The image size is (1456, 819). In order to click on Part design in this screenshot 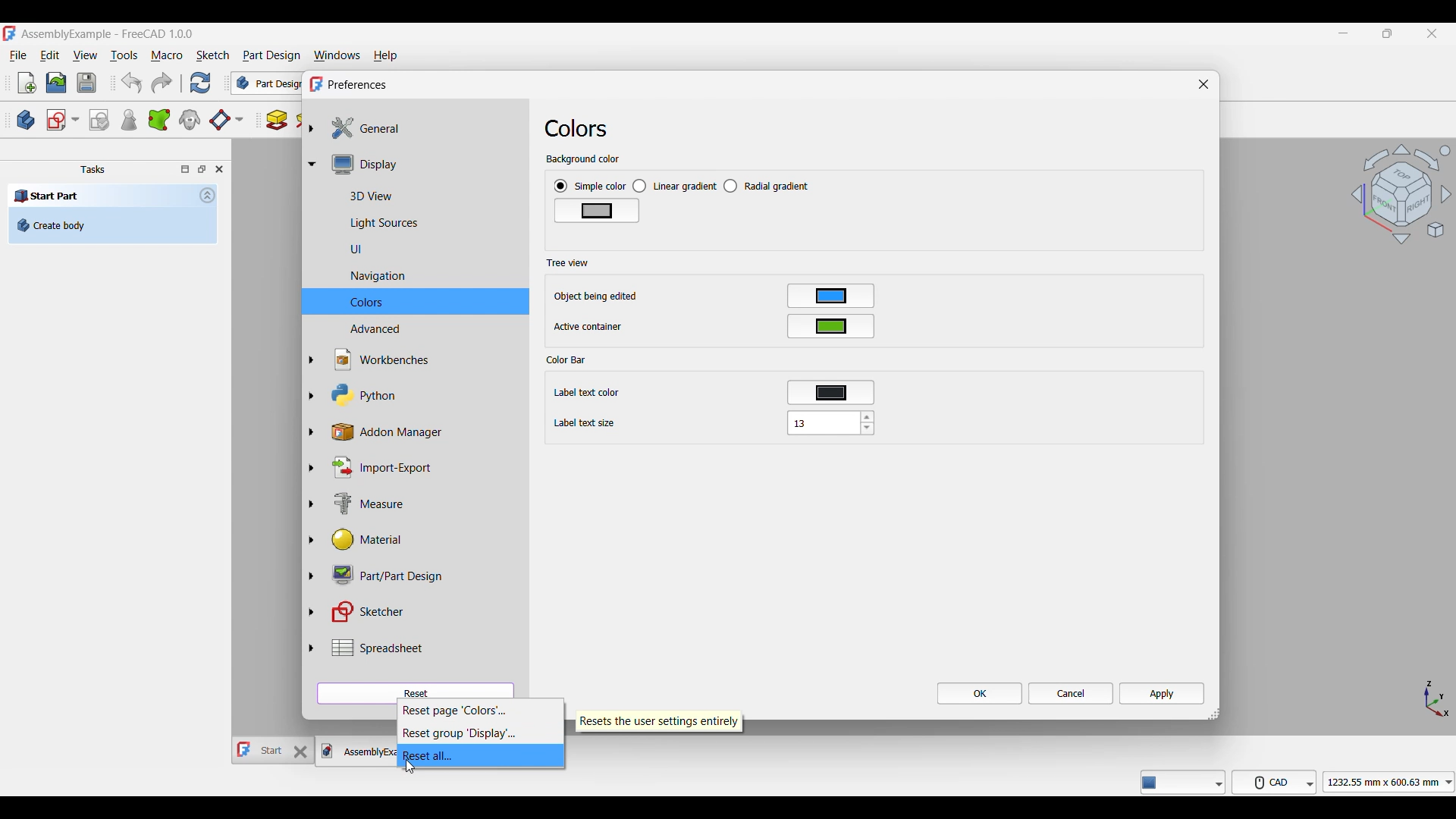, I will do `click(271, 55)`.